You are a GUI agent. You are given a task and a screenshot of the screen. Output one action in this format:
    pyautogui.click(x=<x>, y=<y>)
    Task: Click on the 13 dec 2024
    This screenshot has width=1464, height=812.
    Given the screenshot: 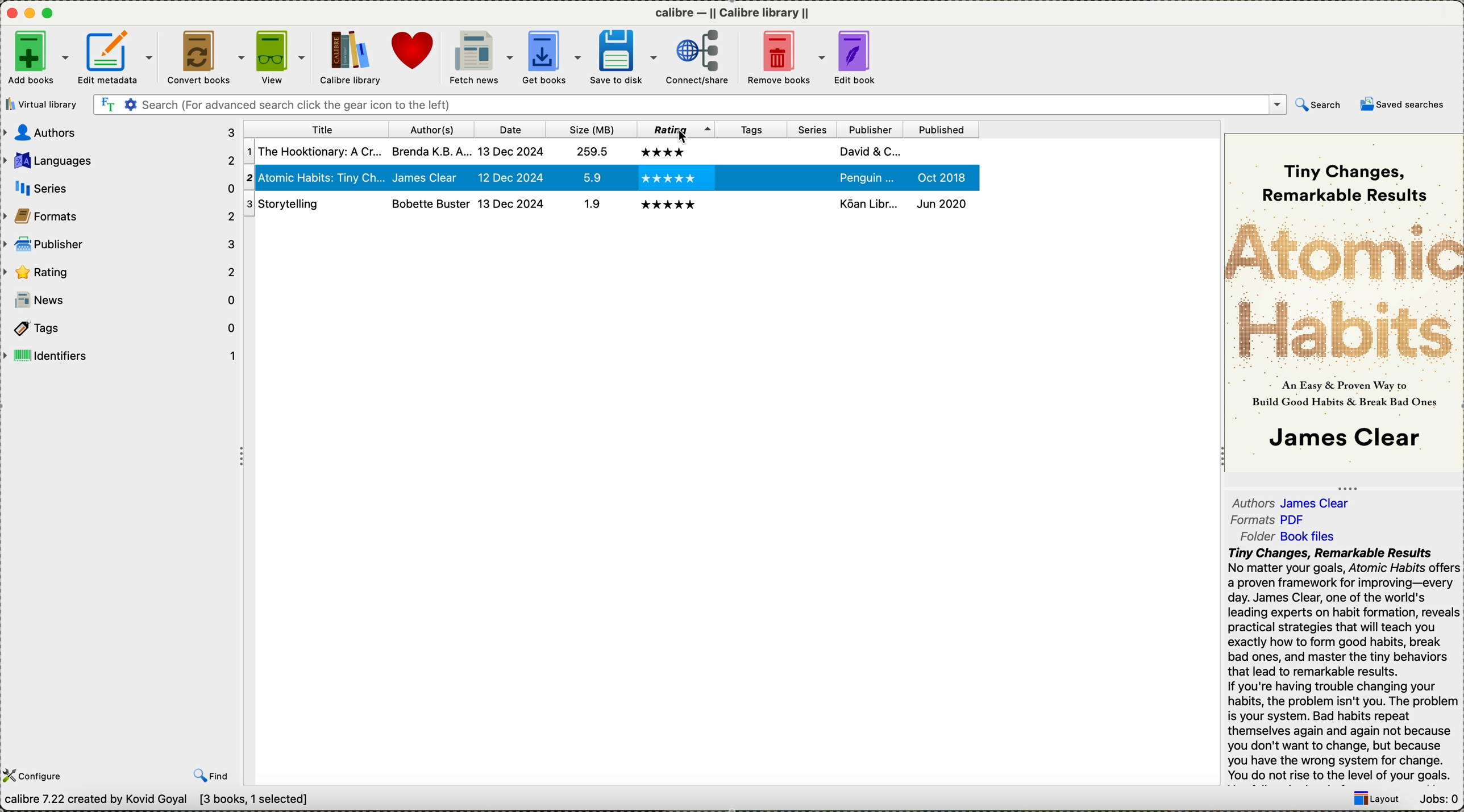 What is the action you would take?
    pyautogui.click(x=511, y=176)
    